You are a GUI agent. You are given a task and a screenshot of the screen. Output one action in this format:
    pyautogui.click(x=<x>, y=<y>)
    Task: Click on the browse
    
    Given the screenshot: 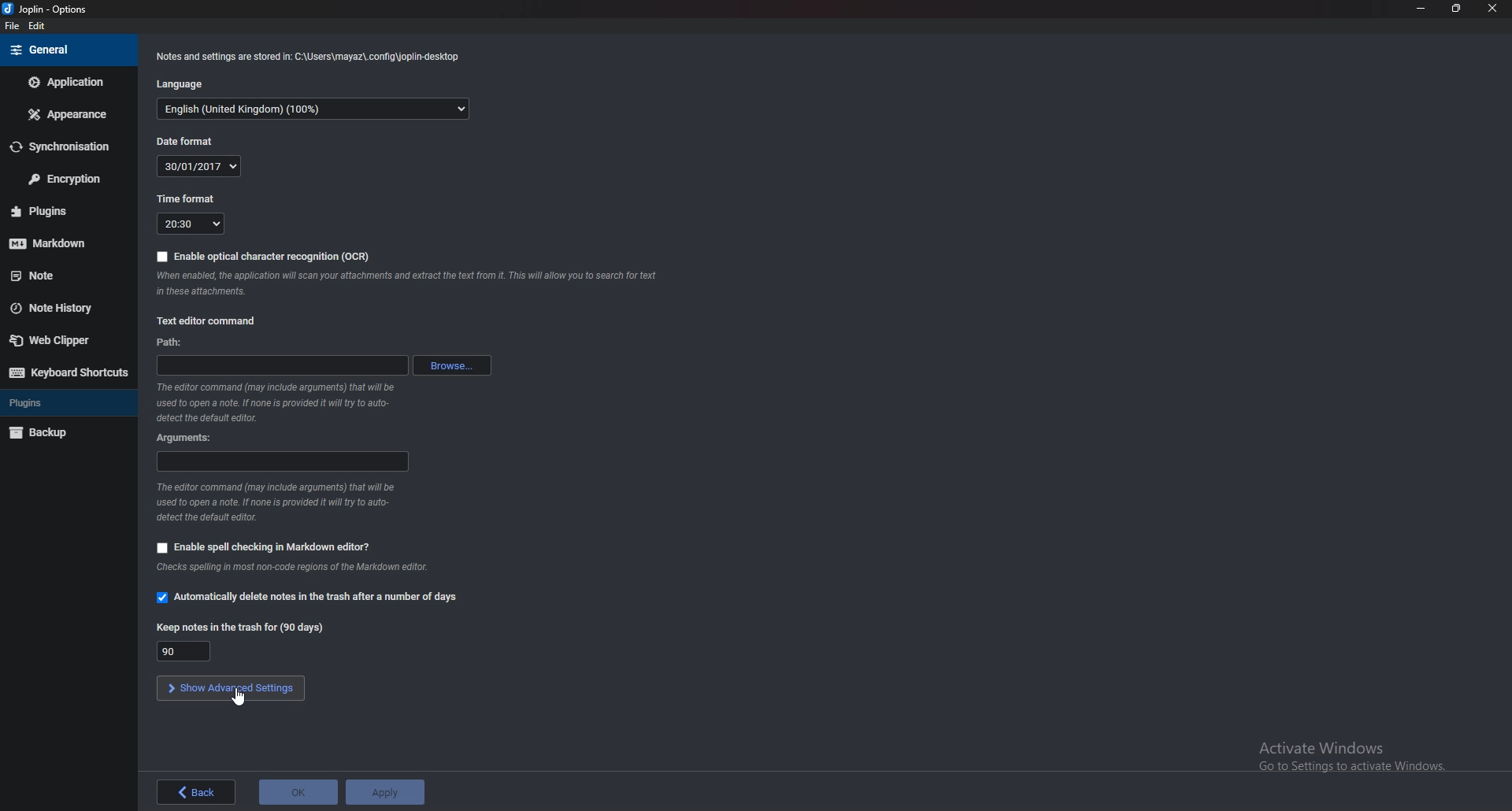 What is the action you would take?
    pyautogui.click(x=451, y=364)
    